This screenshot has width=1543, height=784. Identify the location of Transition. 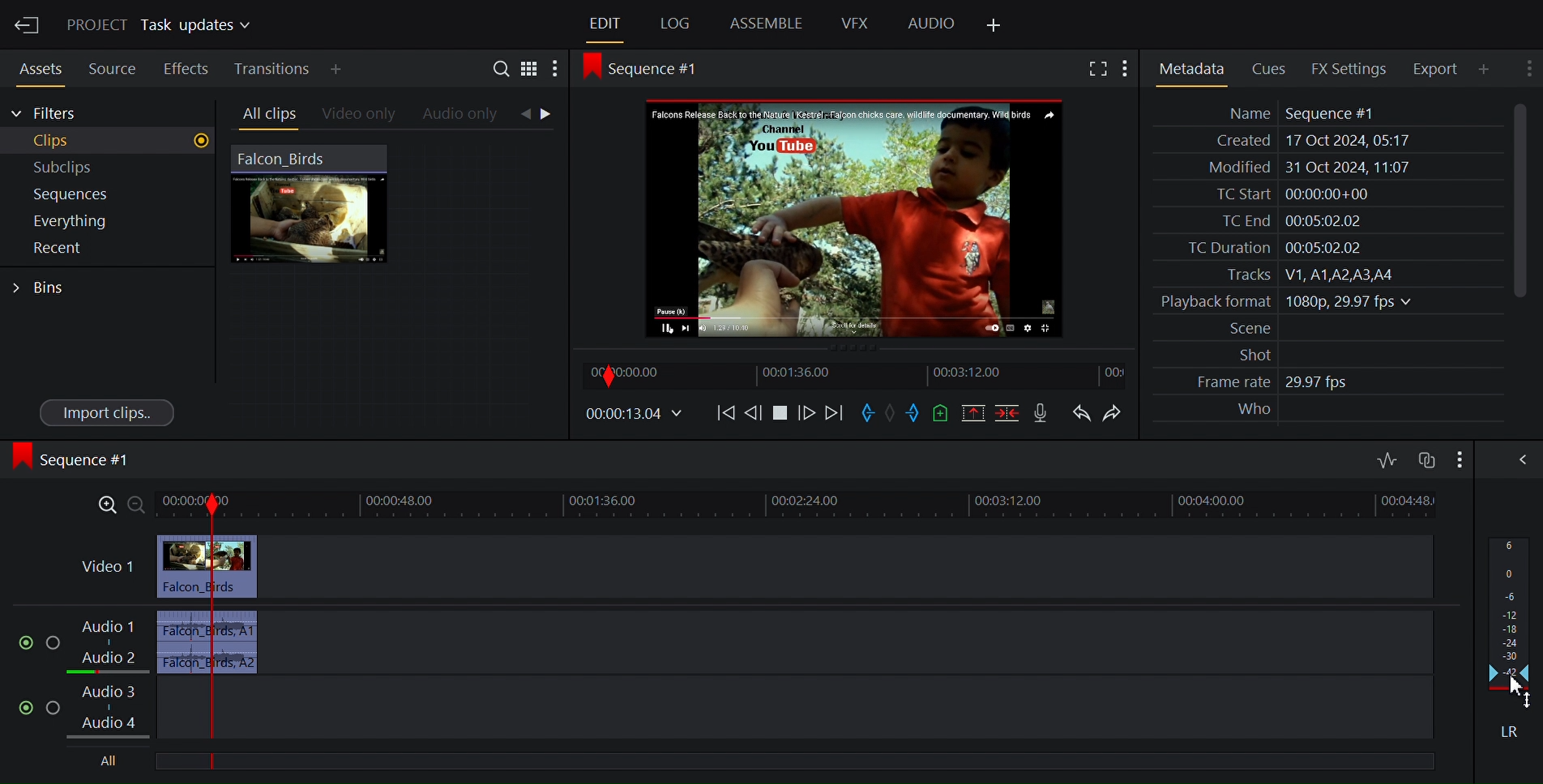
(270, 69).